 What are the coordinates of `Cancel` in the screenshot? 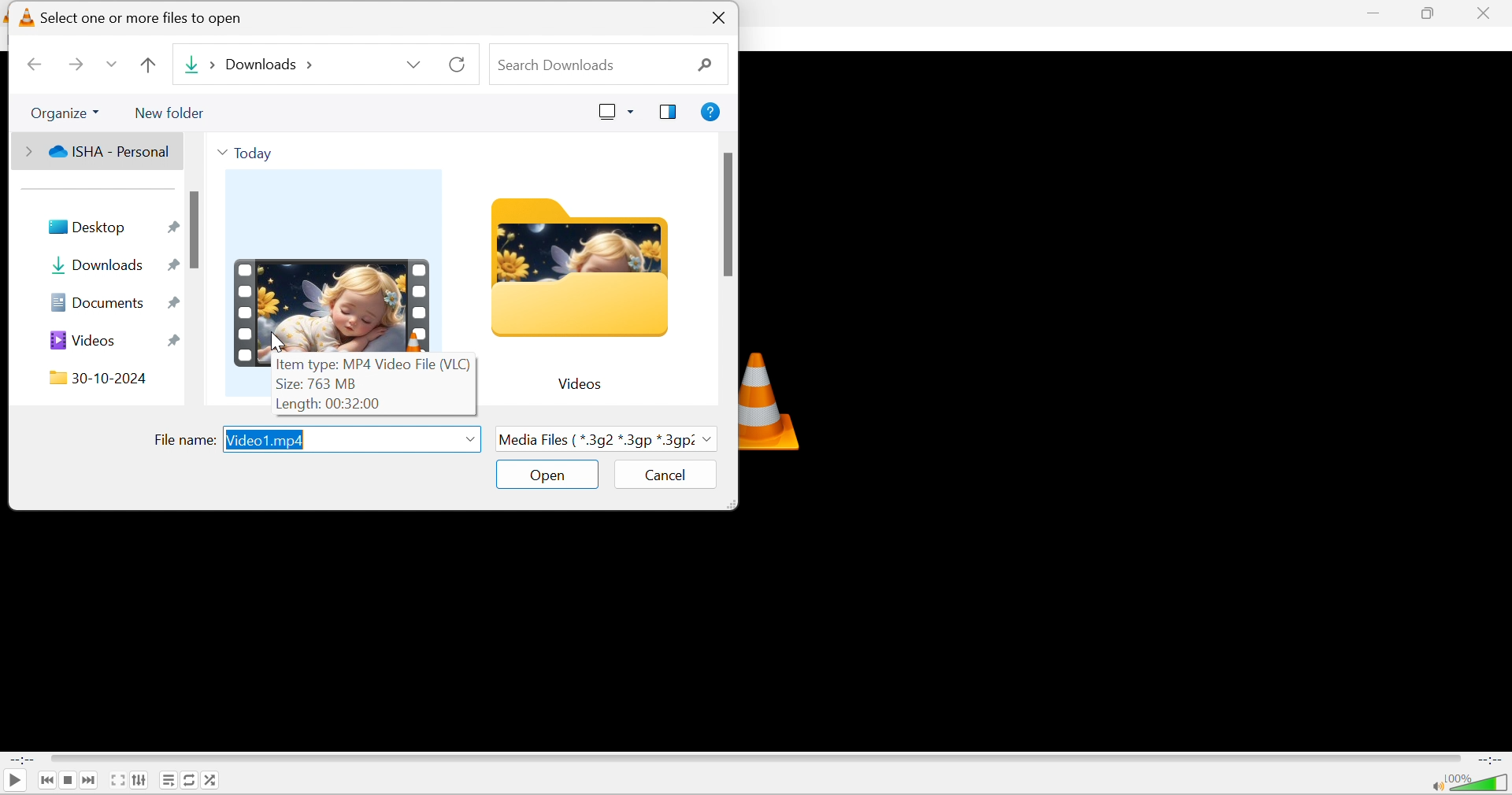 It's located at (667, 473).